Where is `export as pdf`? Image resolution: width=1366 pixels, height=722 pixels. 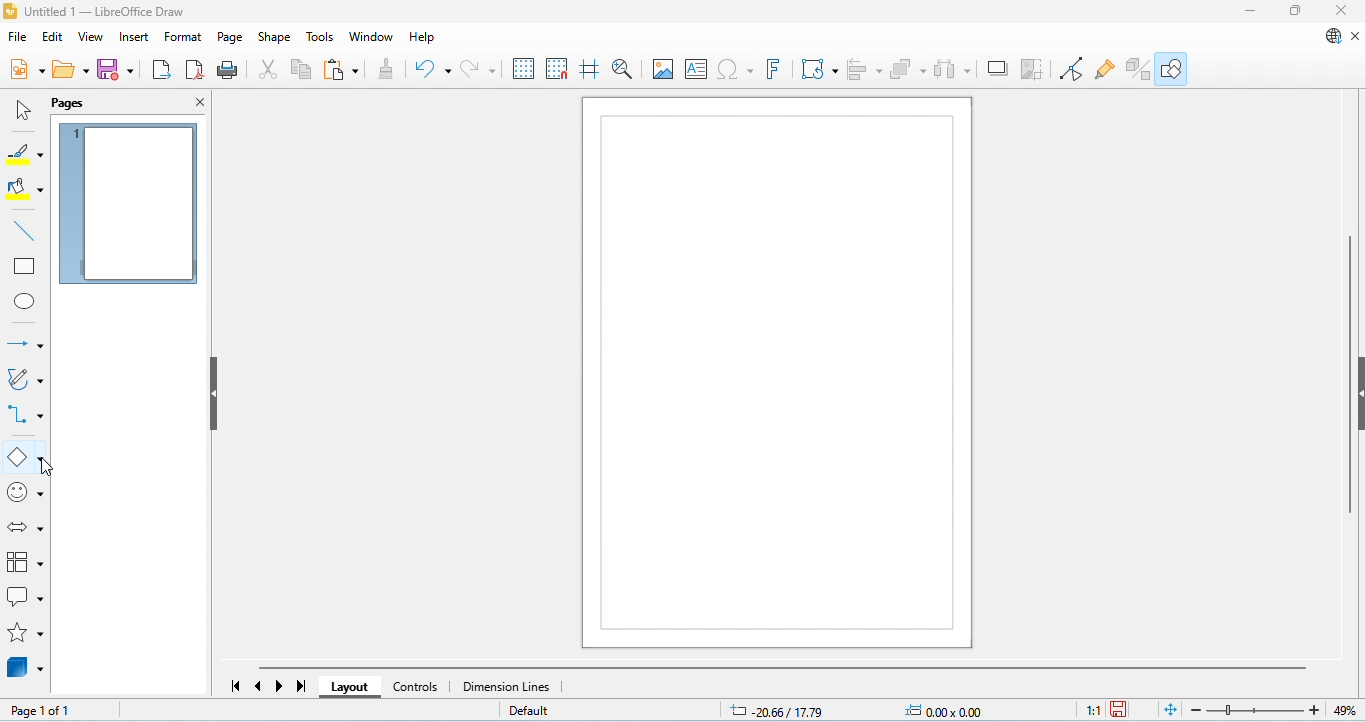 export as pdf is located at coordinates (196, 69).